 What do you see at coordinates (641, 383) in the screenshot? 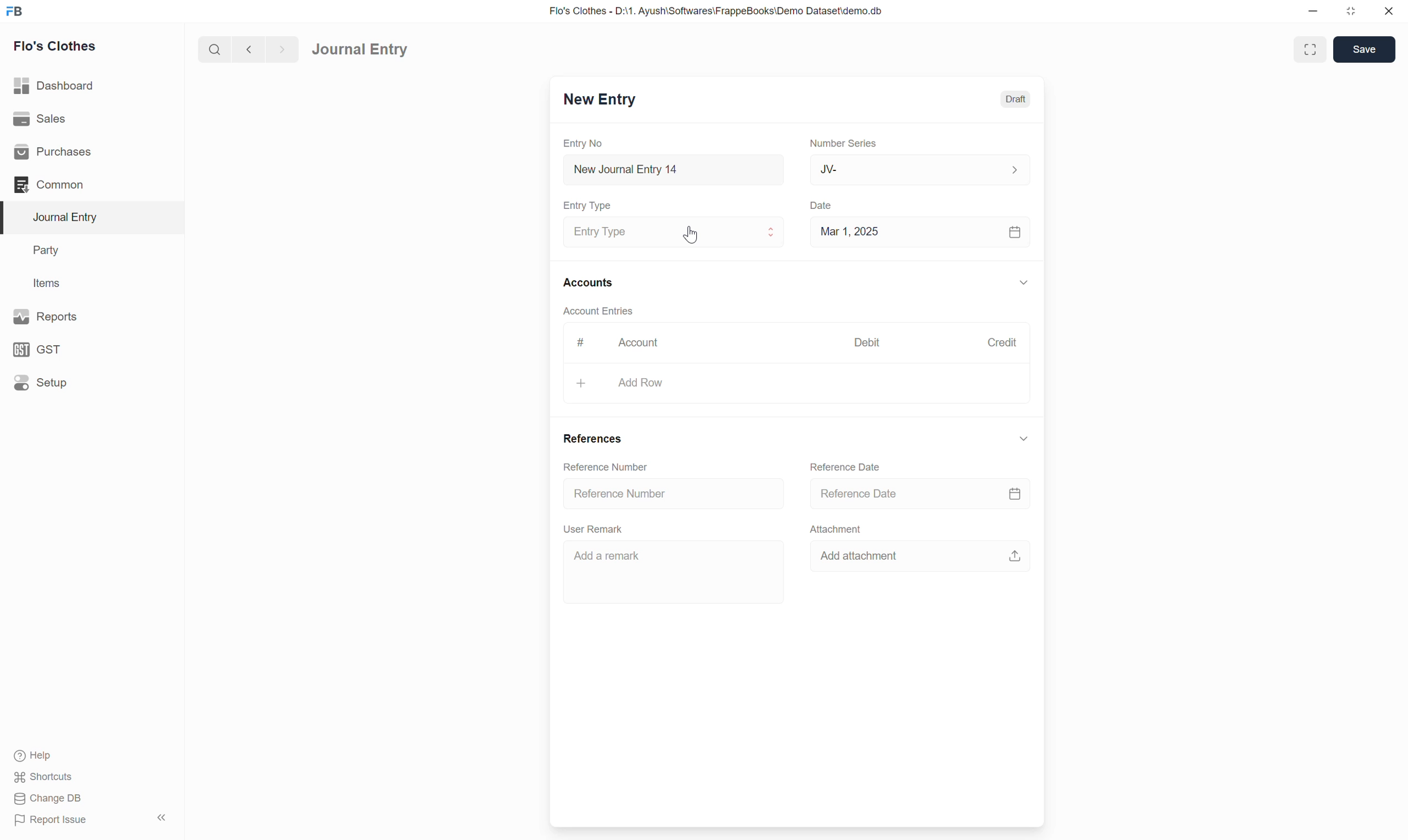
I see `+ Add Row` at bounding box center [641, 383].